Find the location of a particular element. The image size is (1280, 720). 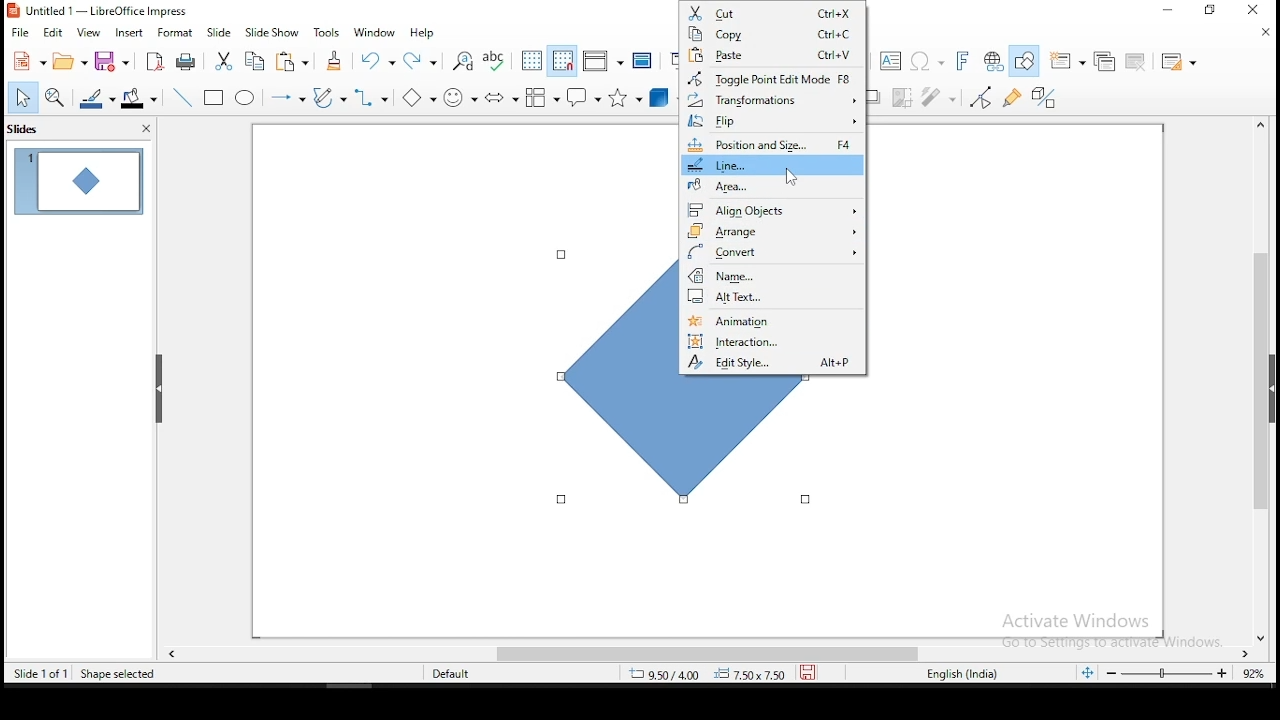

toggle point edit mode is located at coordinates (983, 97).